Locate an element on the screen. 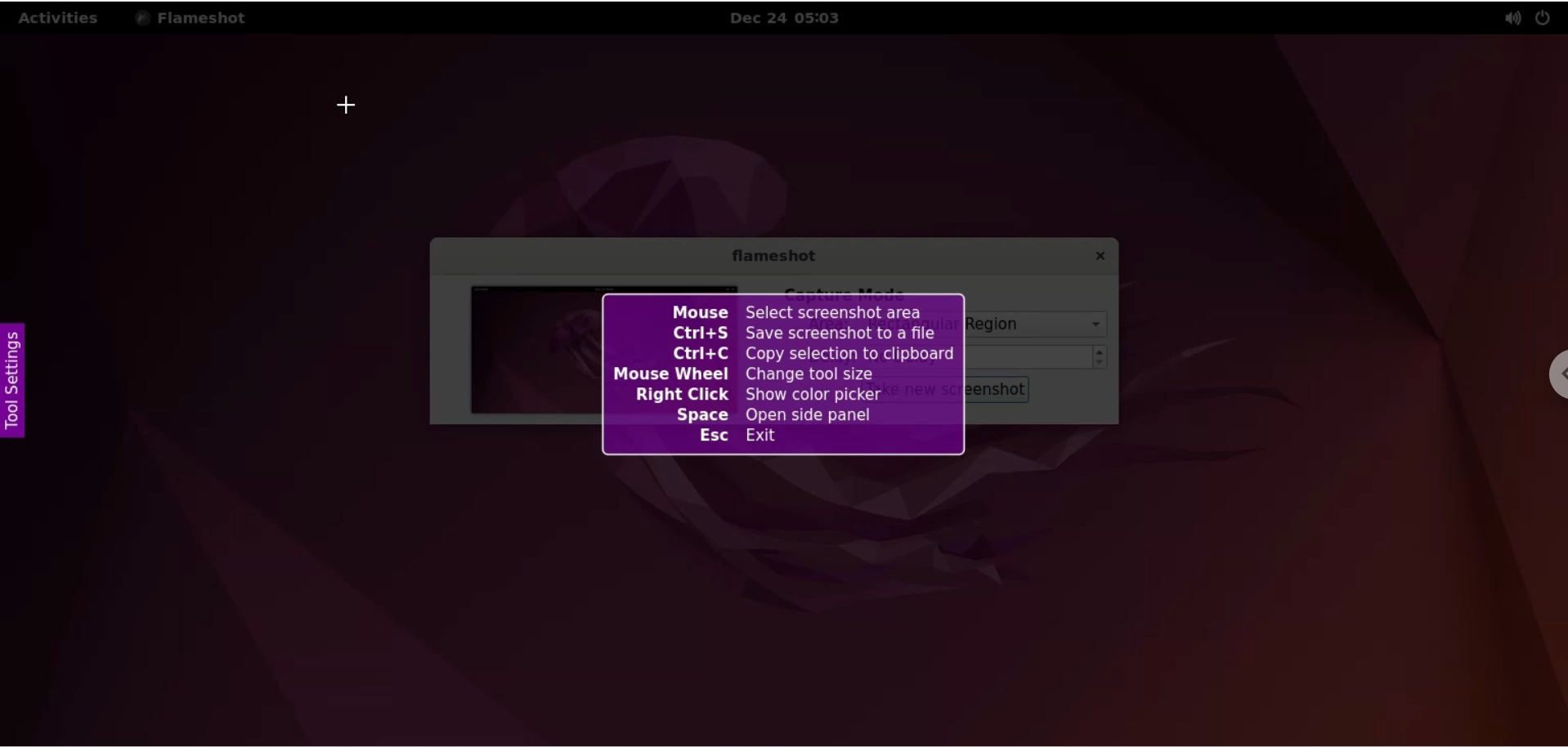  Dec 24 05:03 is located at coordinates (792, 18).